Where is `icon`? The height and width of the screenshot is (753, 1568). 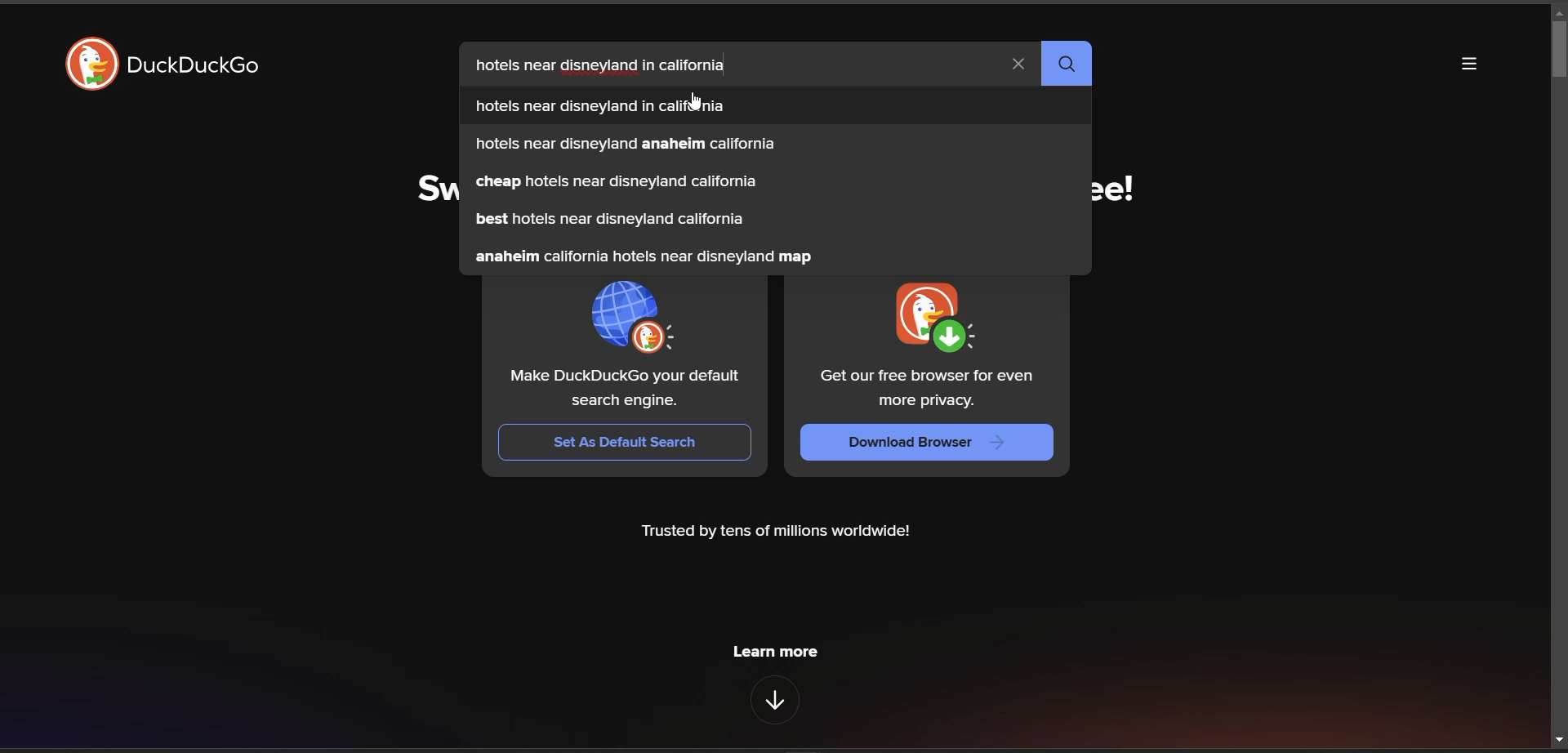 icon is located at coordinates (639, 317).